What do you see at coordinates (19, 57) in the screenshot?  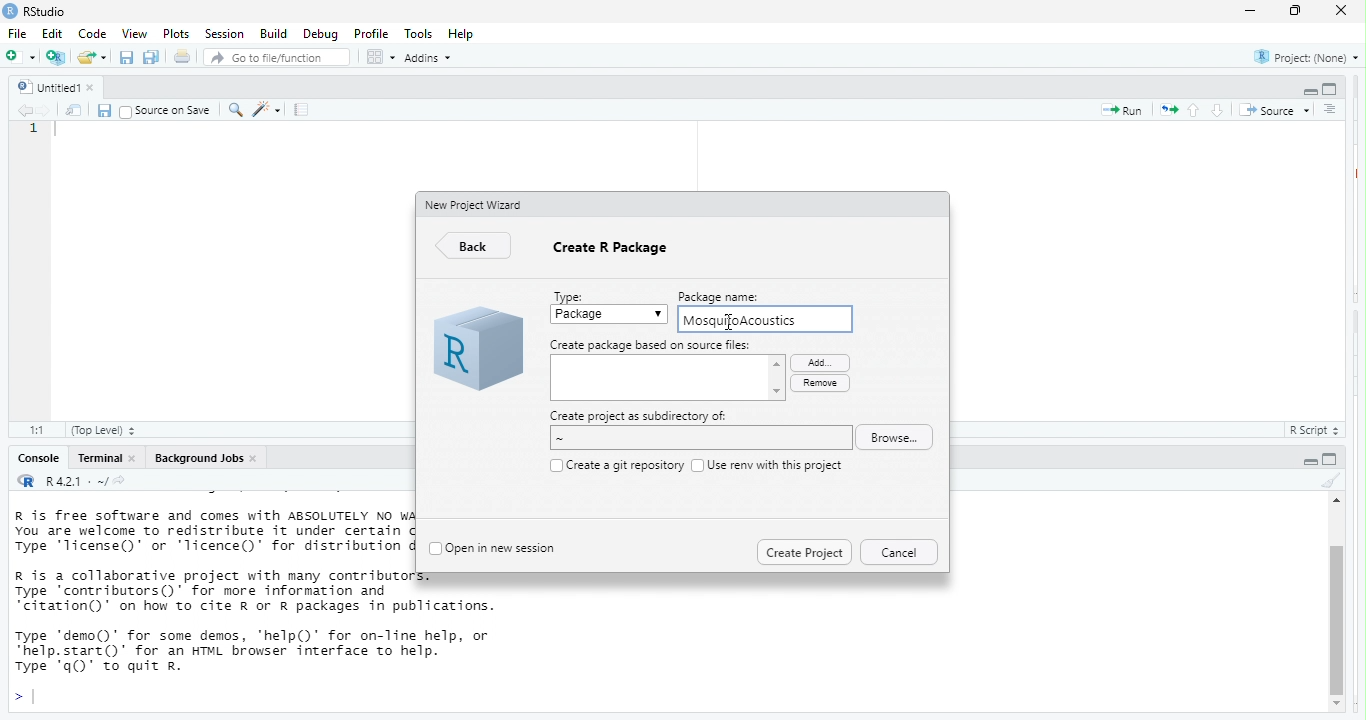 I see `new file` at bounding box center [19, 57].